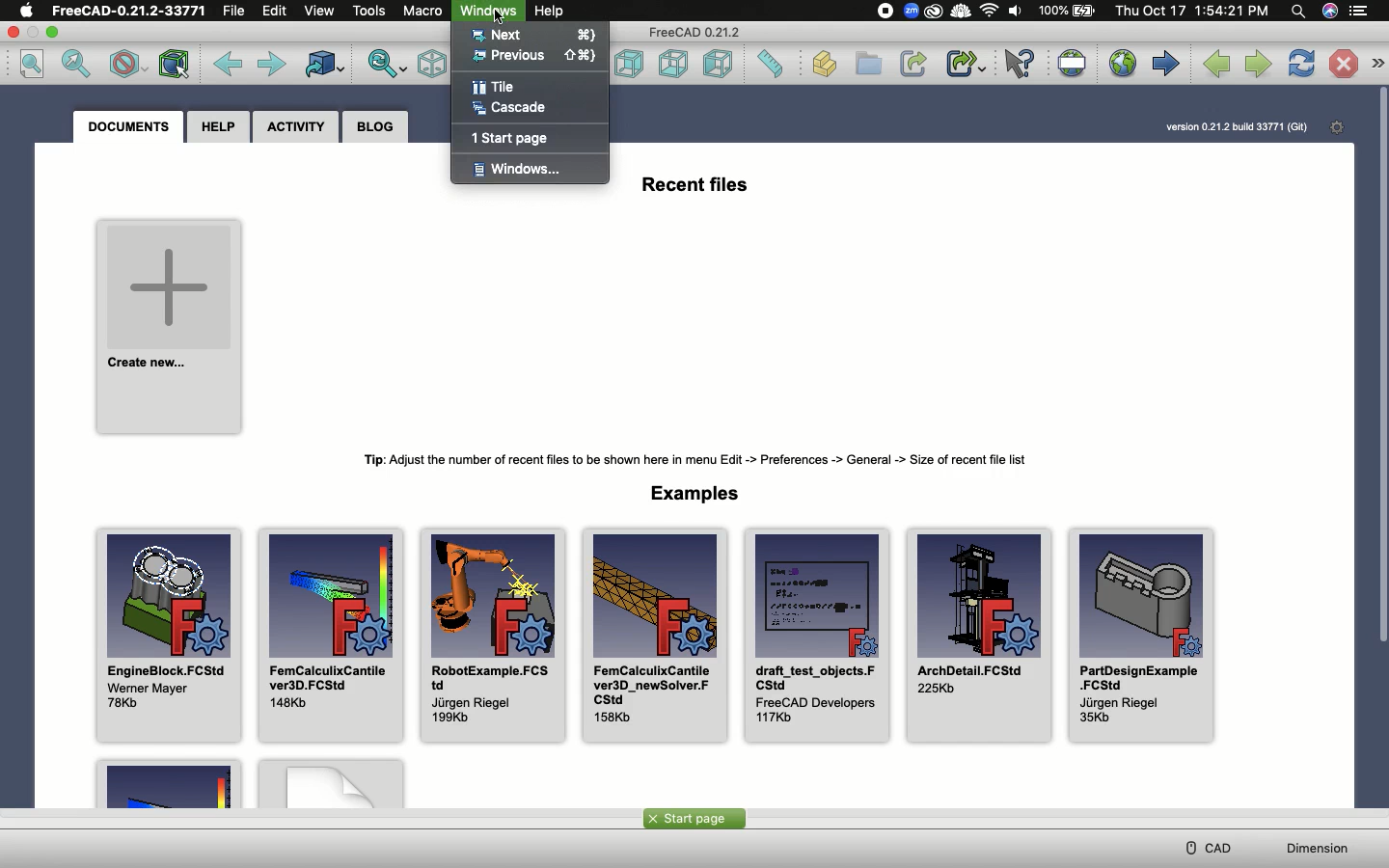 Image resolution: width=1389 pixels, height=868 pixels. Describe the element at coordinates (272, 66) in the screenshot. I see `Forward` at that location.